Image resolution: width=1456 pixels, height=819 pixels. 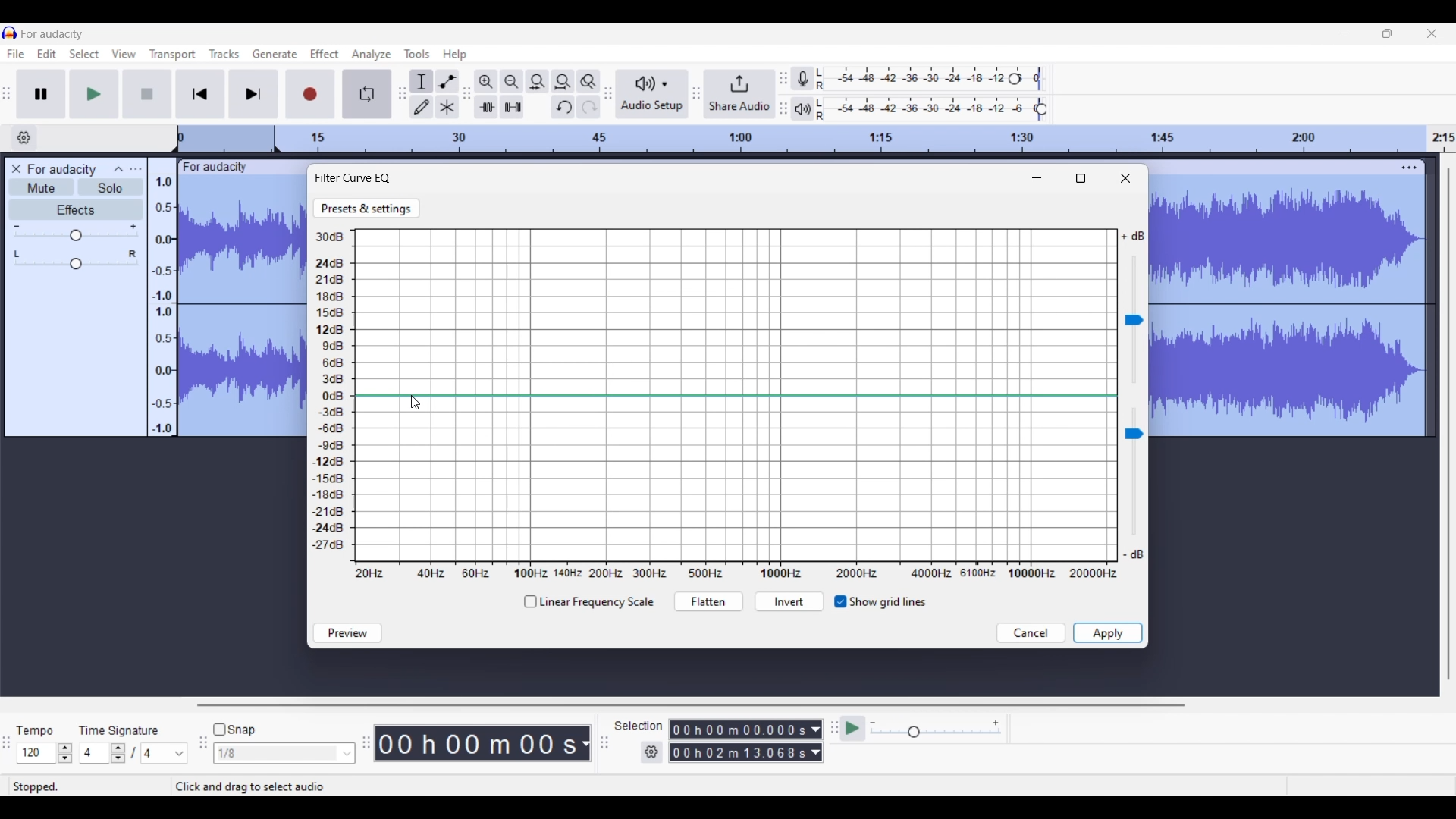 What do you see at coordinates (414, 403) in the screenshot?
I see `Cursor` at bounding box center [414, 403].